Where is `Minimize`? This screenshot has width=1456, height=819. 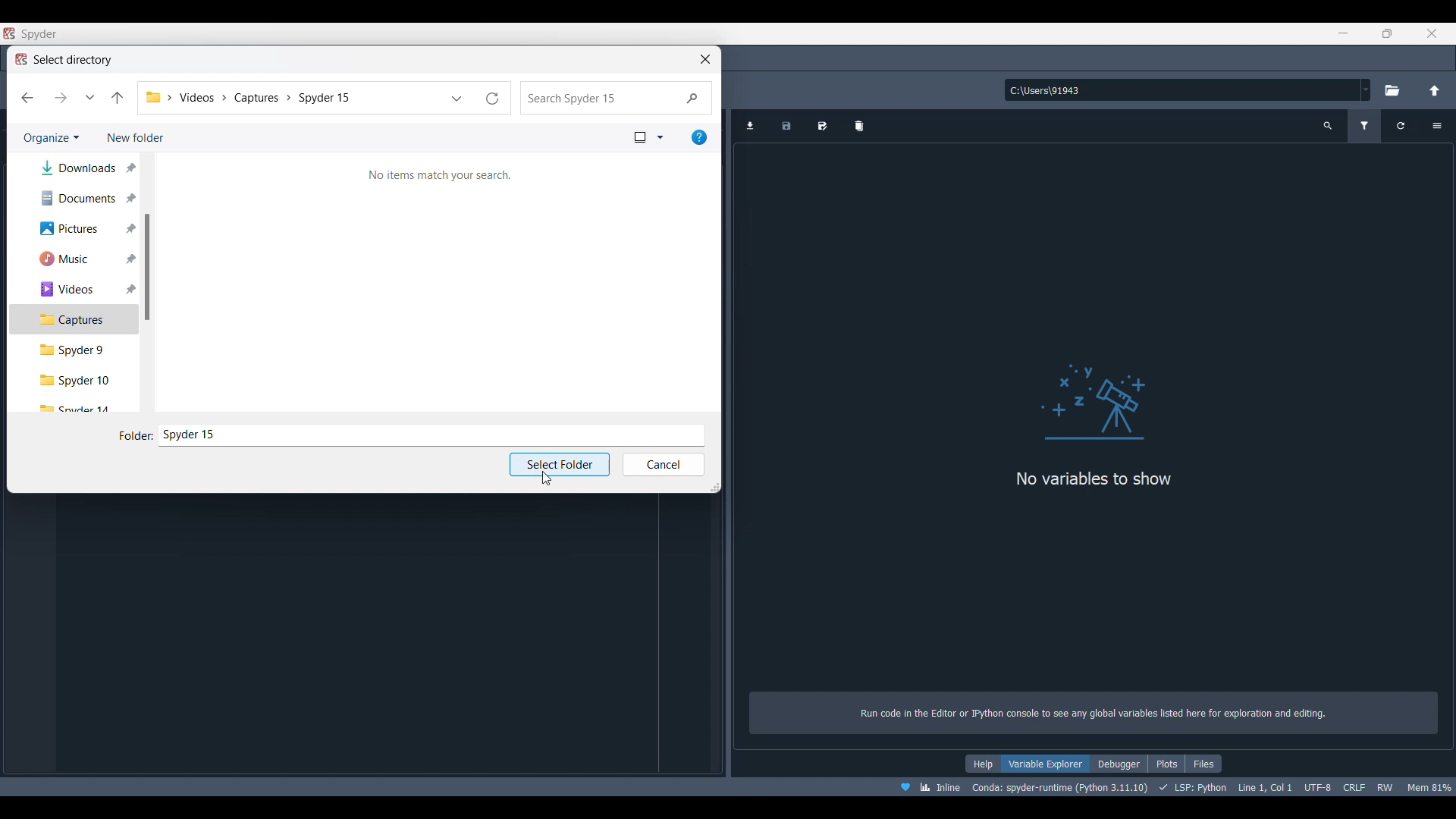
Minimize is located at coordinates (1344, 33).